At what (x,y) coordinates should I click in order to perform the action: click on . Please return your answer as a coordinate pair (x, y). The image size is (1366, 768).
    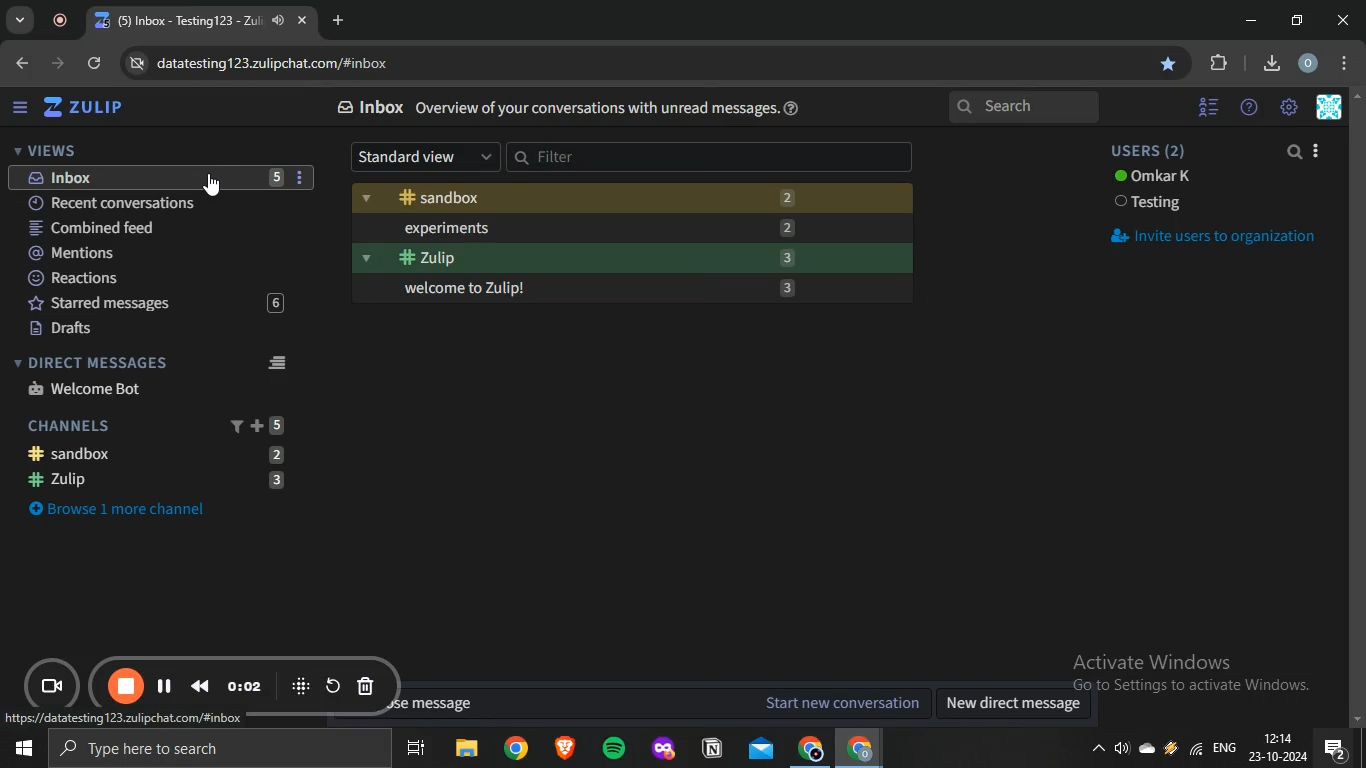
    Looking at the image, I should click on (1316, 152).